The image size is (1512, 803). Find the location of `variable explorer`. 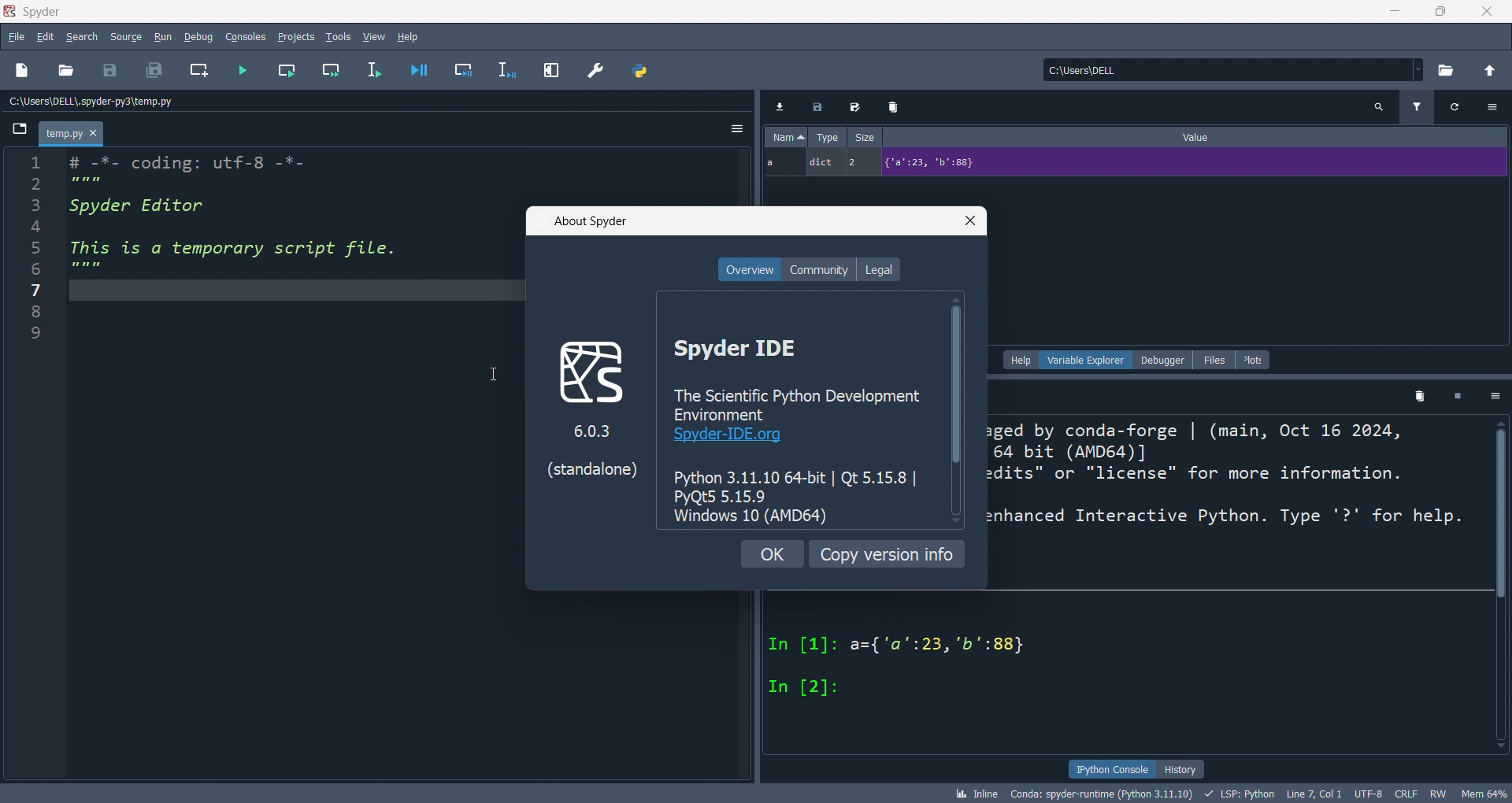

variable explorer is located at coordinates (1085, 359).